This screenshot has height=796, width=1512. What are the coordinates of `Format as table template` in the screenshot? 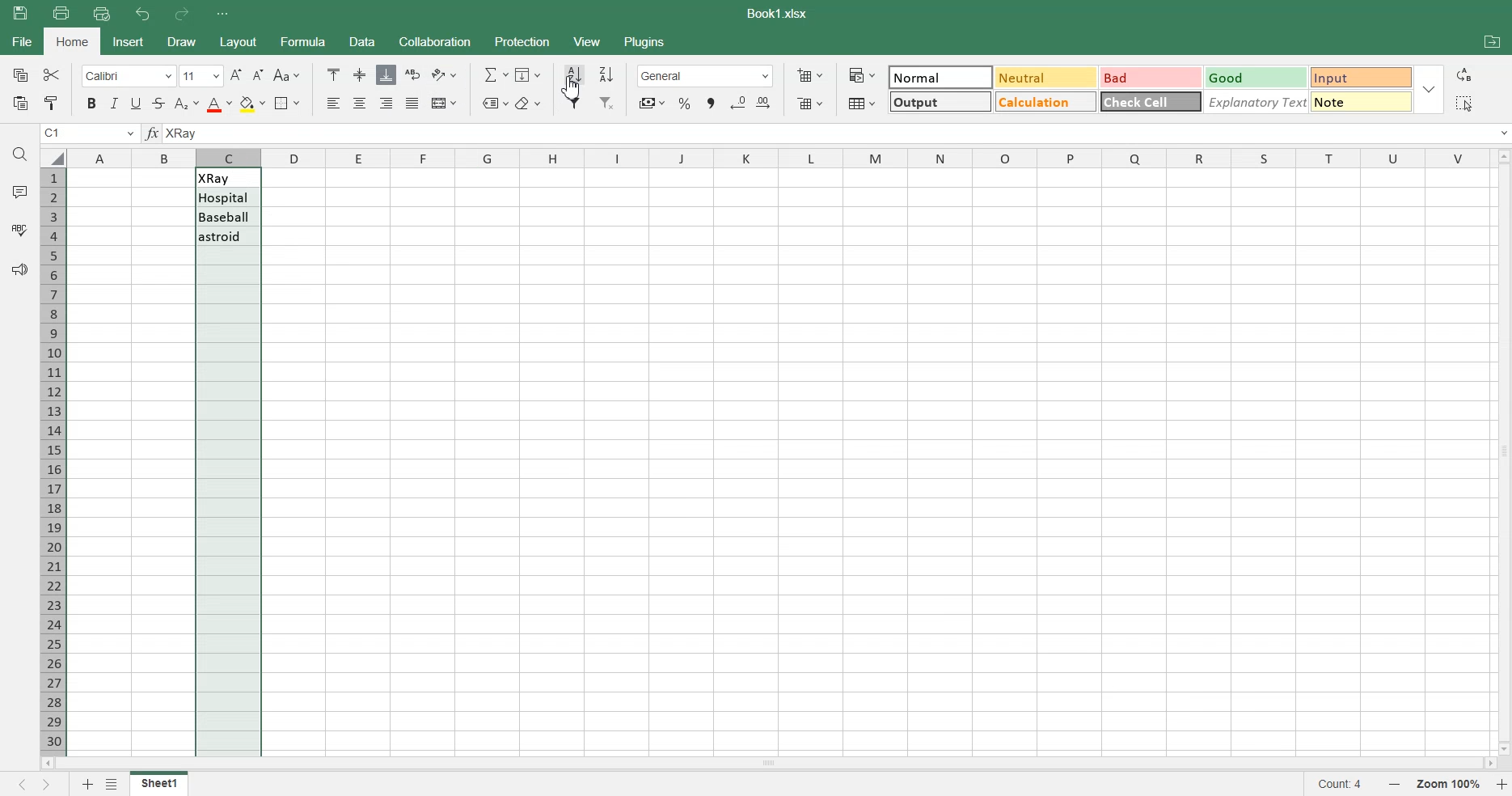 It's located at (860, 104).